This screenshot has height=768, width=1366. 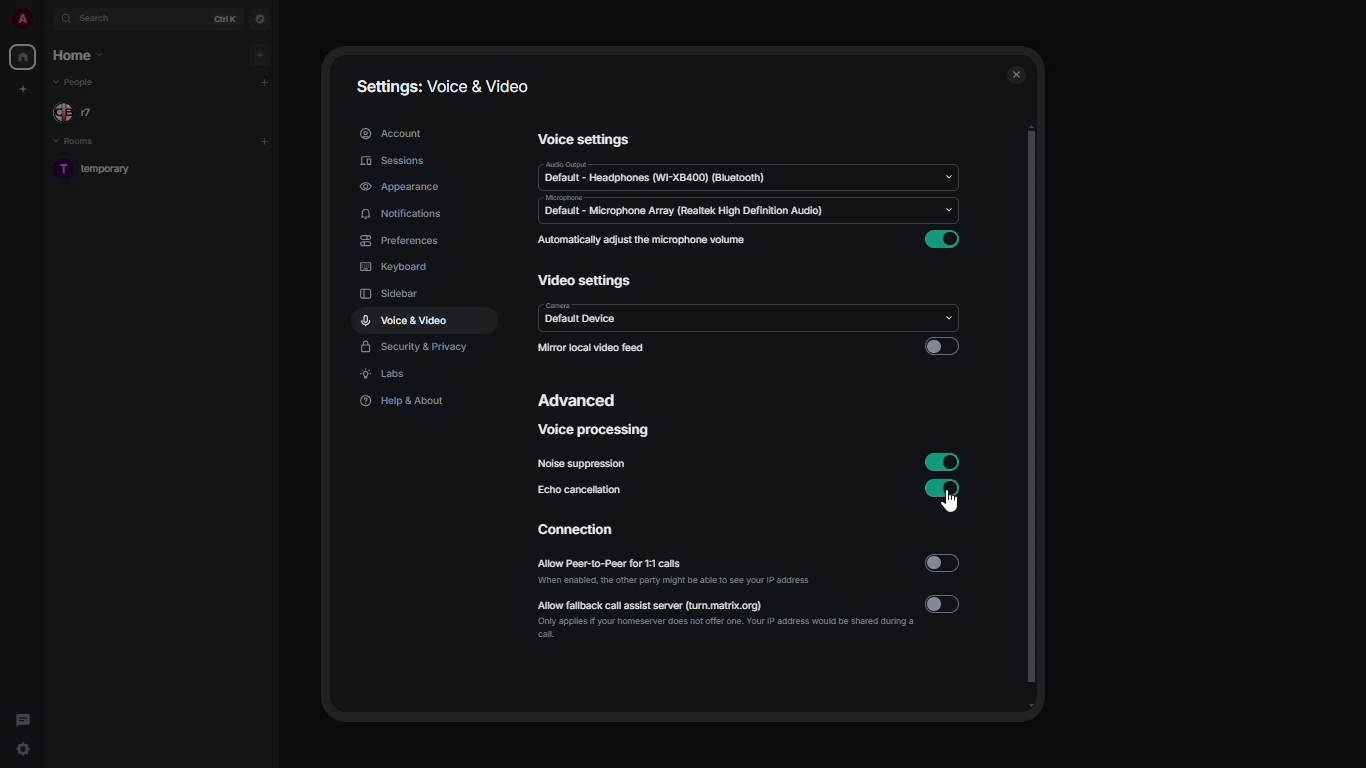 I want to click on noise suppression, so click(x=581, y=465).